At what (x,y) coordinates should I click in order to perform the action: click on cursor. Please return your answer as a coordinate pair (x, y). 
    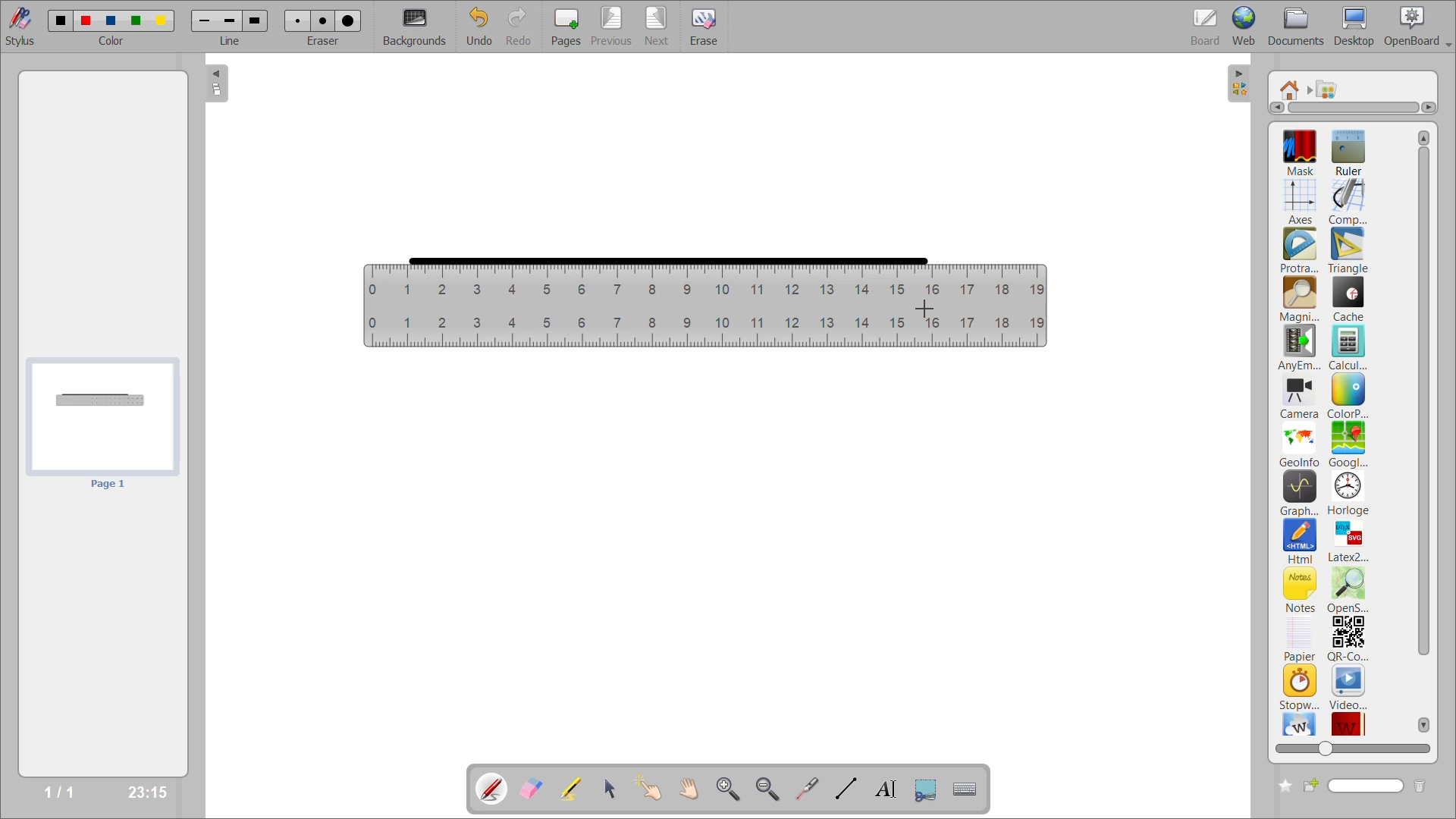
    Looking at the image, I should click on (926, 307).